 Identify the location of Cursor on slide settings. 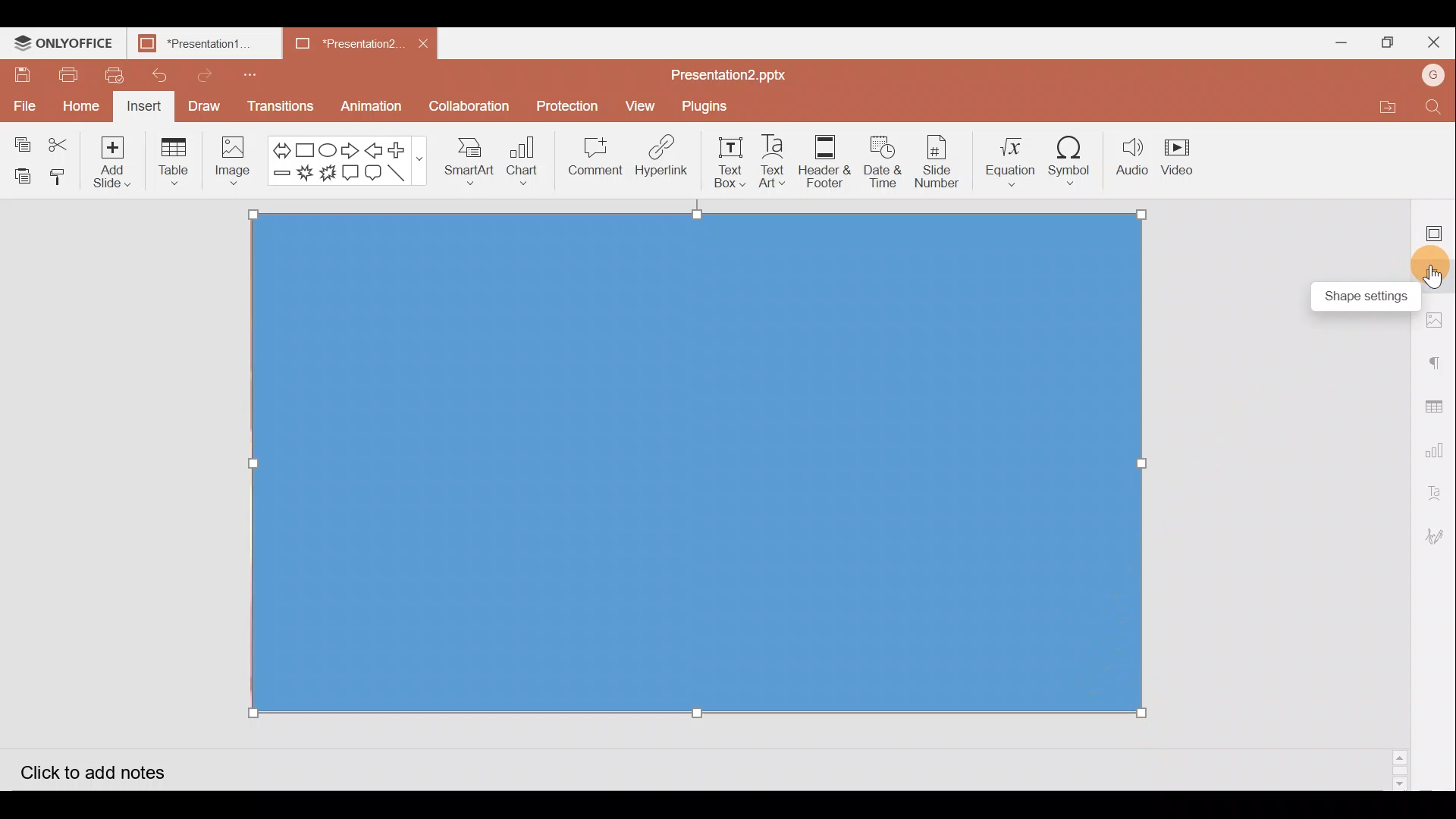
(1434, 282).